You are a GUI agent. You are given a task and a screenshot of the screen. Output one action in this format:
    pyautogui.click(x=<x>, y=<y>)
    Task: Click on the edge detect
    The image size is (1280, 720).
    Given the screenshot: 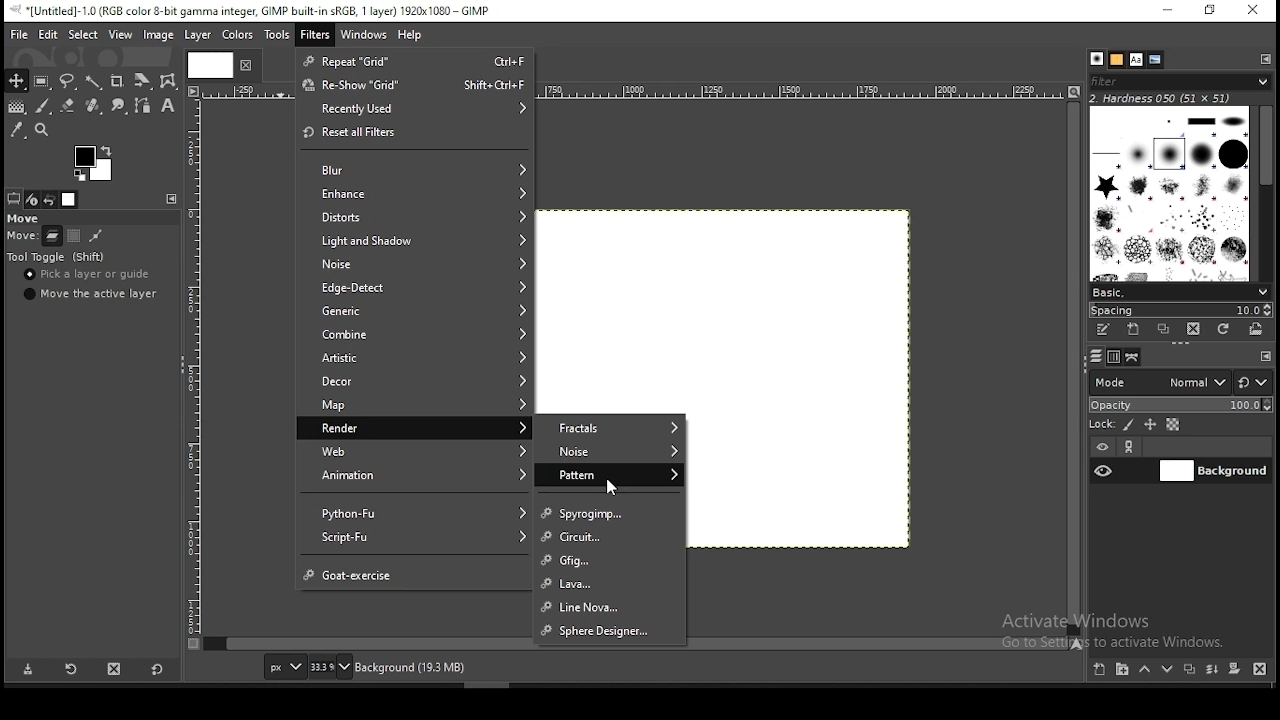 What is the action you would take?
    pyautogui.click(x=414, y=289)
    